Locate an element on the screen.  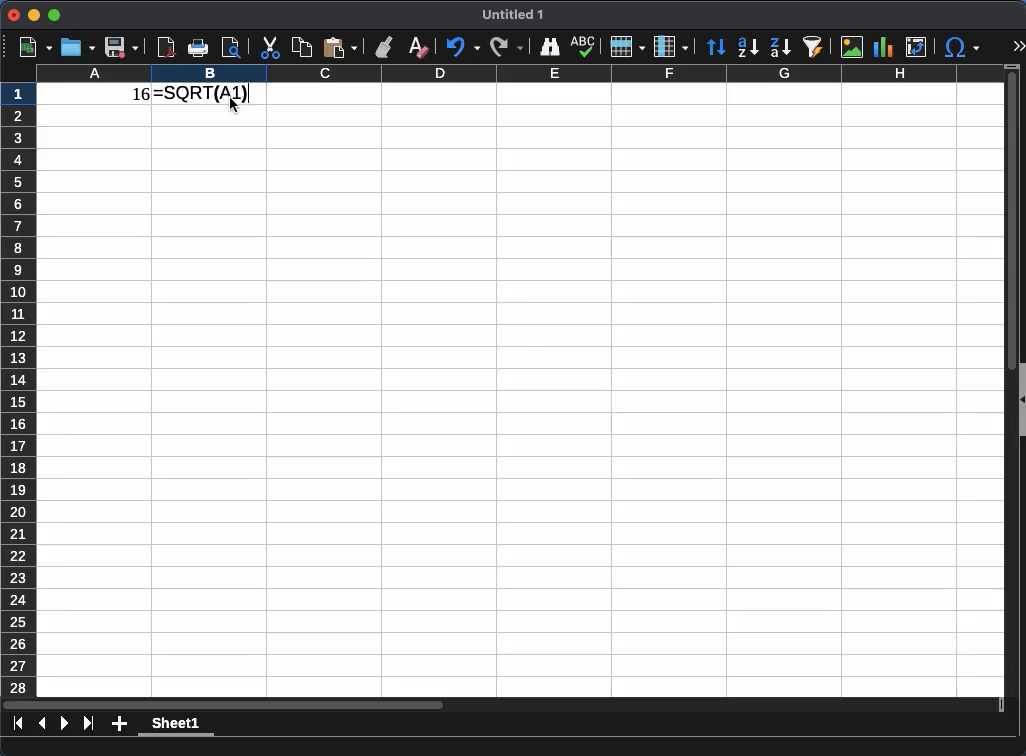
cursor is located at coordinates (236, 108).